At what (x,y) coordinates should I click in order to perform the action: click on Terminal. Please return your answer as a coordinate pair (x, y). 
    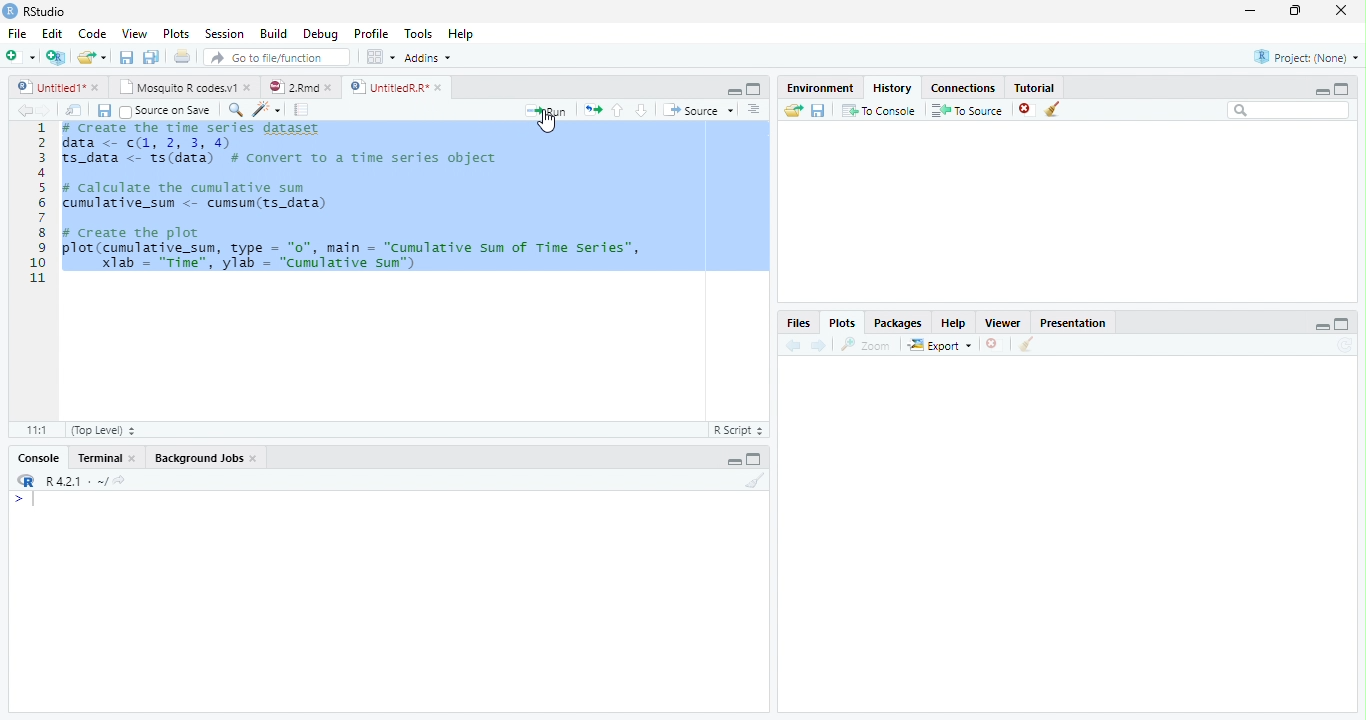
    Looking at the image, I should click on (106, 458).